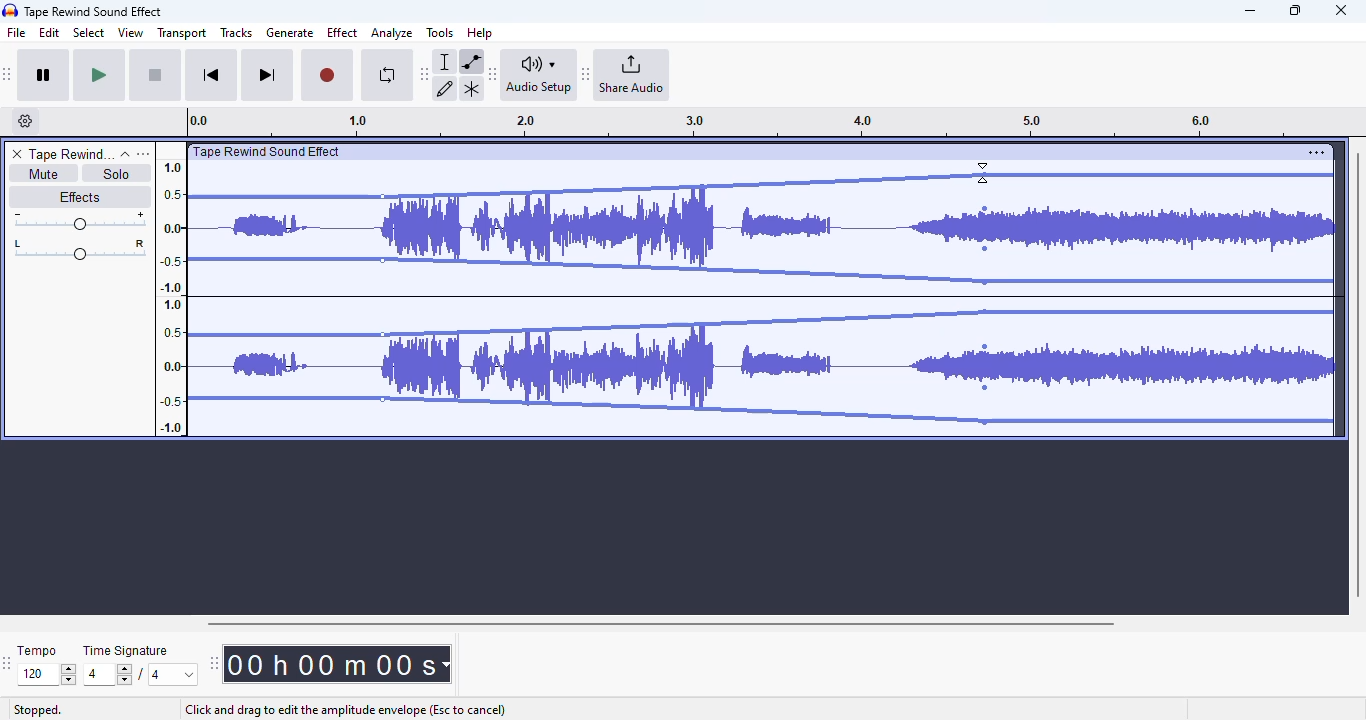  I want to click on help, so click(480, 32).